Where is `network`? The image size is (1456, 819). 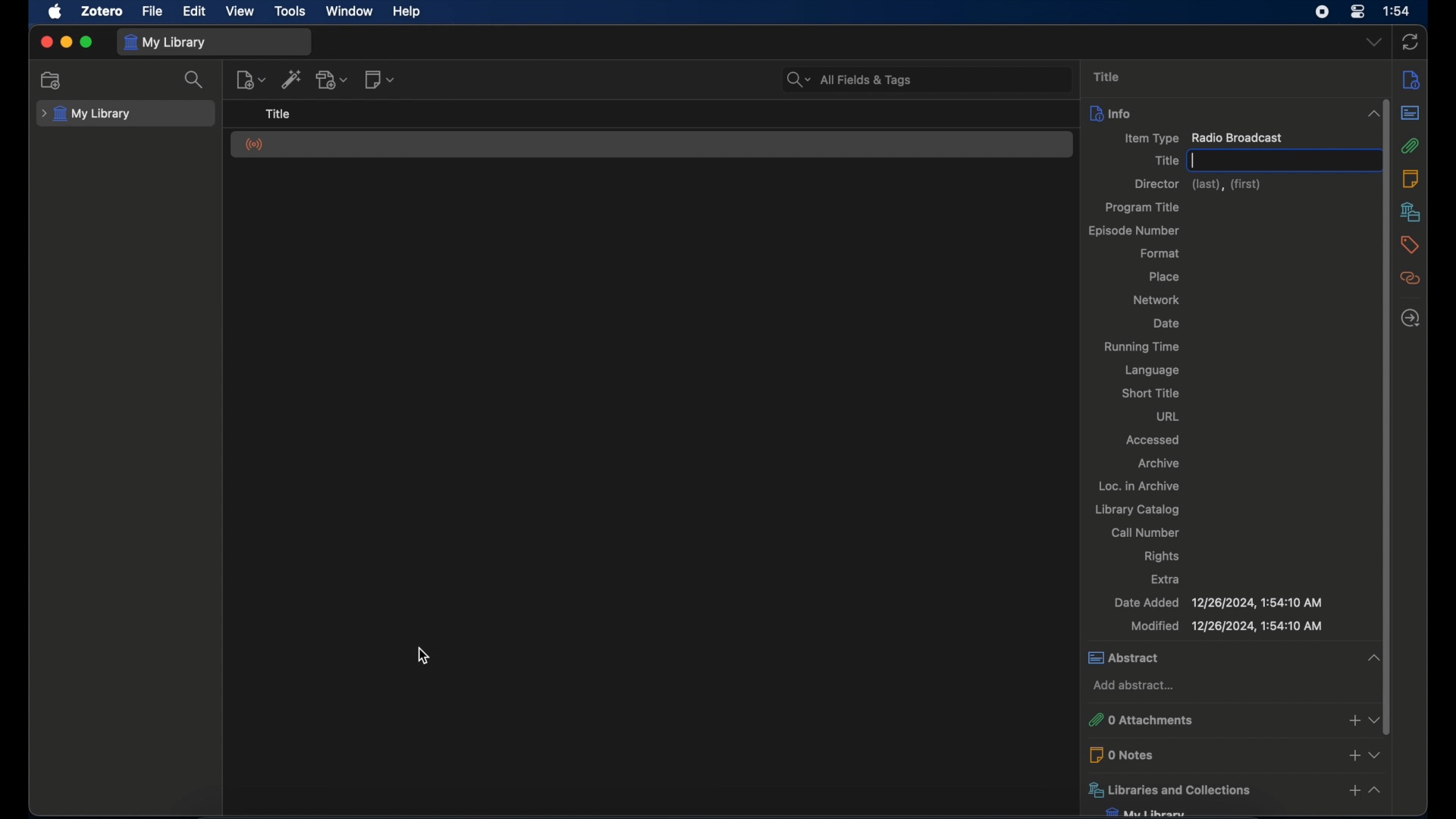
network is located at coordinates (1156, 299).